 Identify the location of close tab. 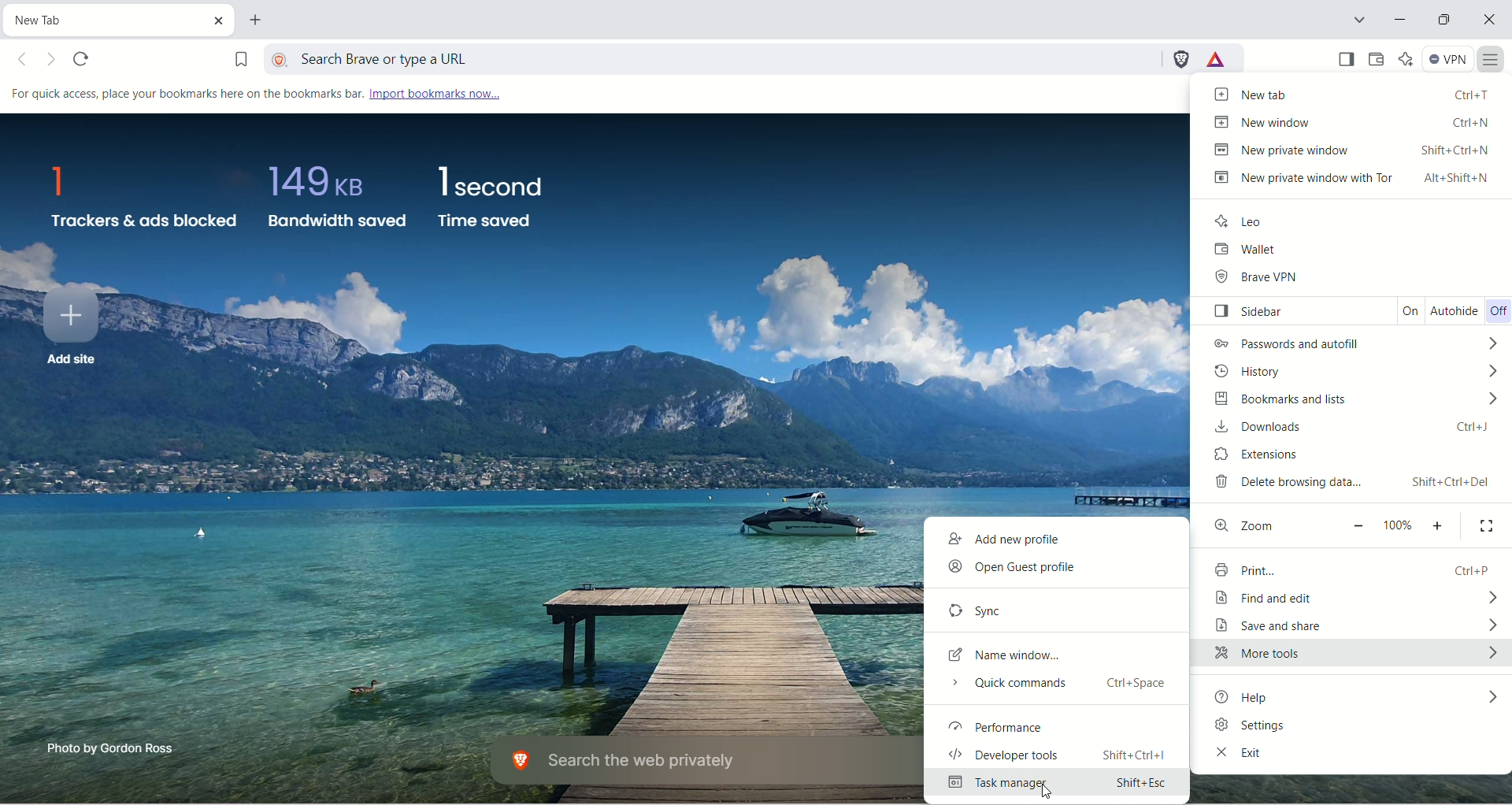
(214, 18).